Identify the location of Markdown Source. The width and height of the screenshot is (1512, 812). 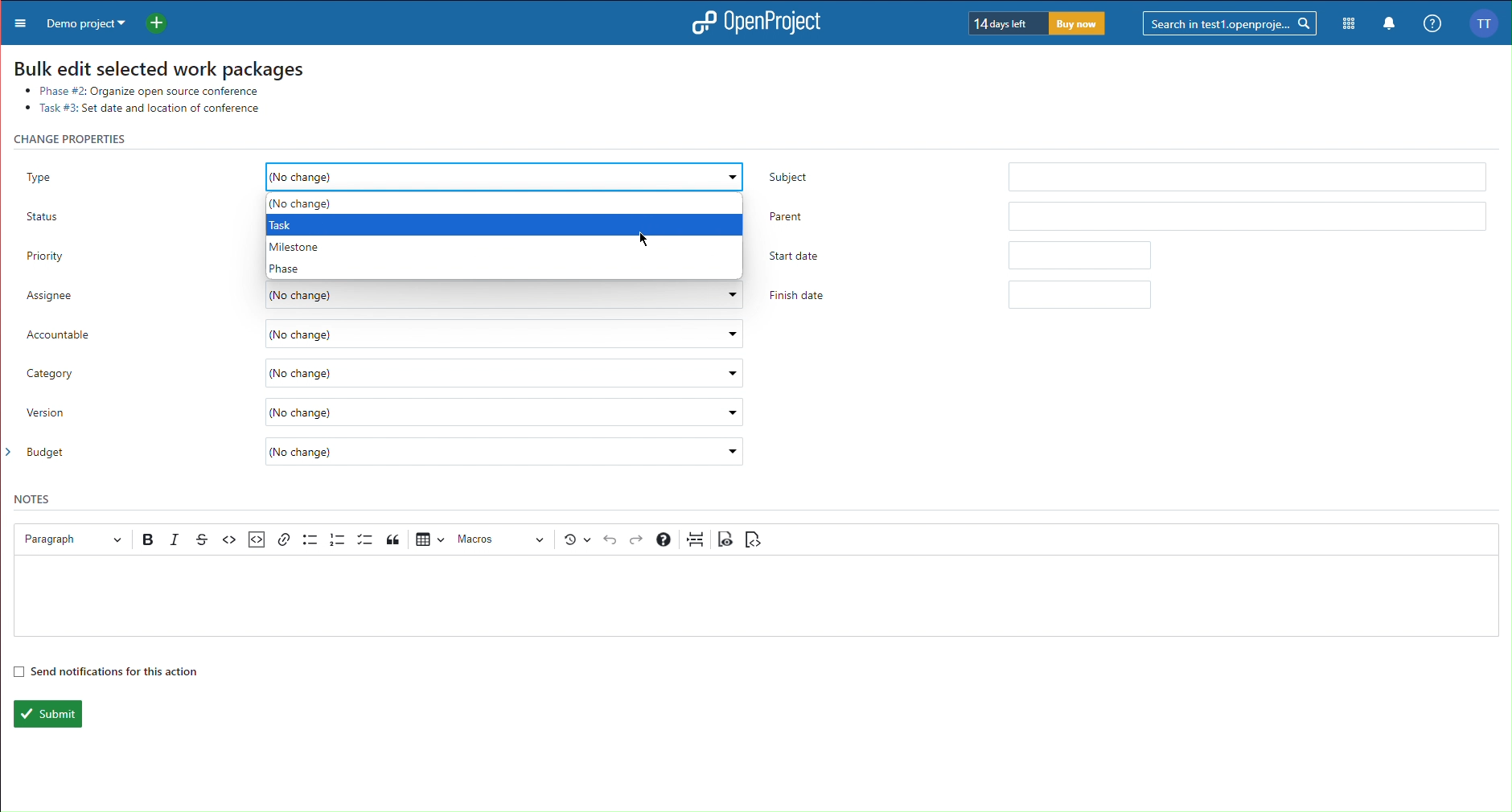
(753, 539).